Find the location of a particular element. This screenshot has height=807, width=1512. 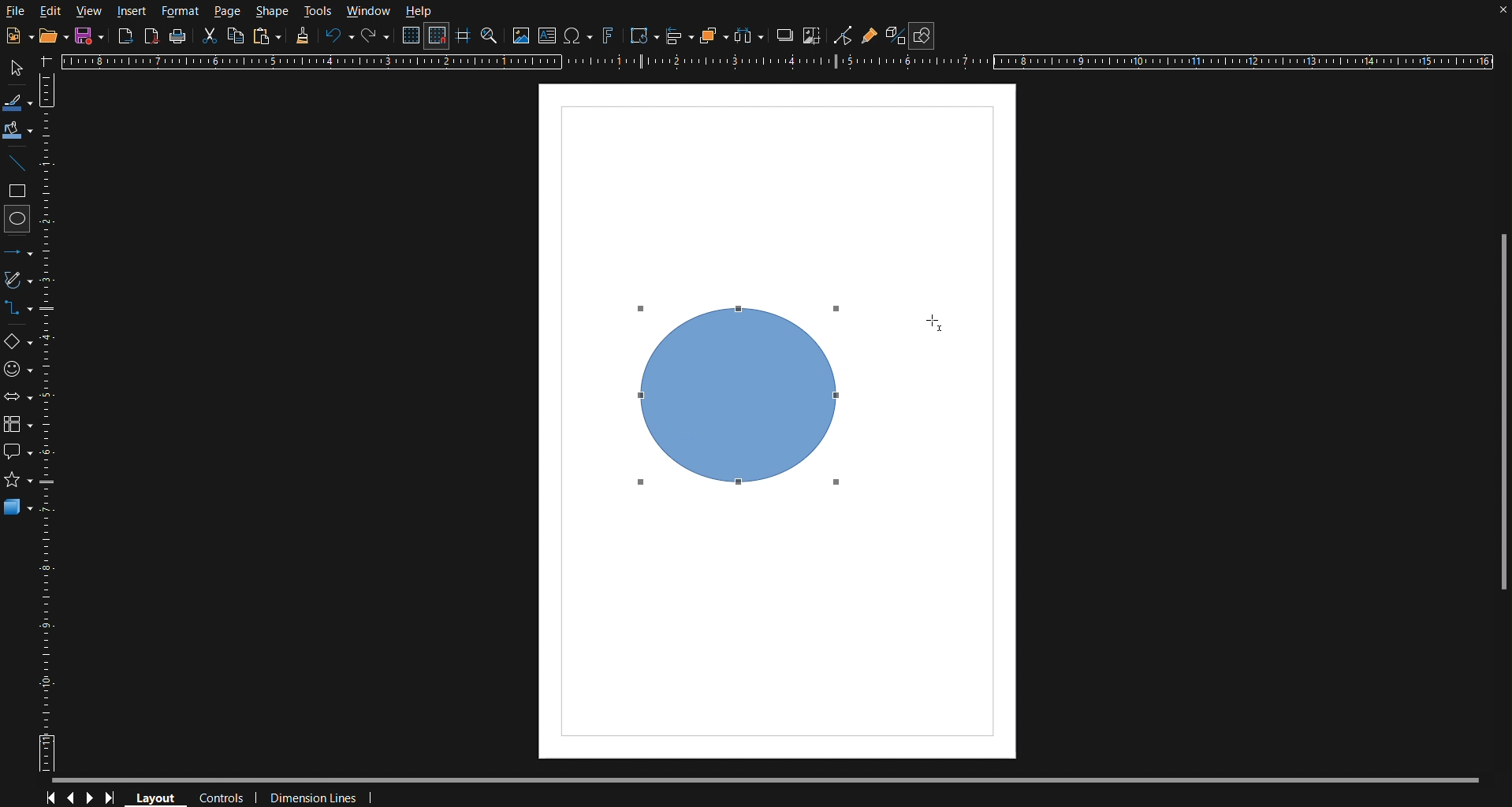

Cut is located at coordinates (211, 37).